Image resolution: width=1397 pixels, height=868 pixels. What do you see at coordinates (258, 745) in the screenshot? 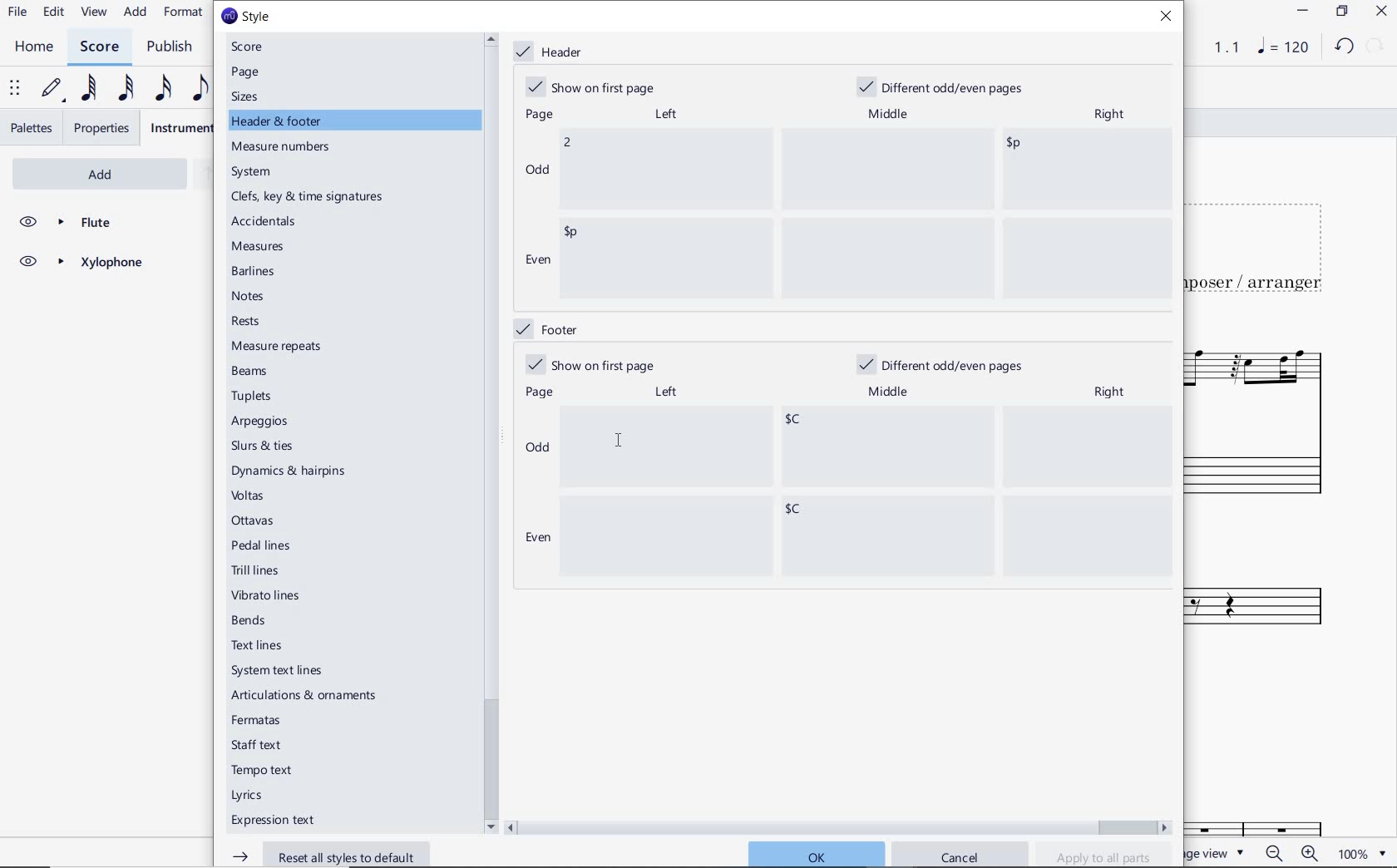
I see `staff text` at bounding box center [258, 745].